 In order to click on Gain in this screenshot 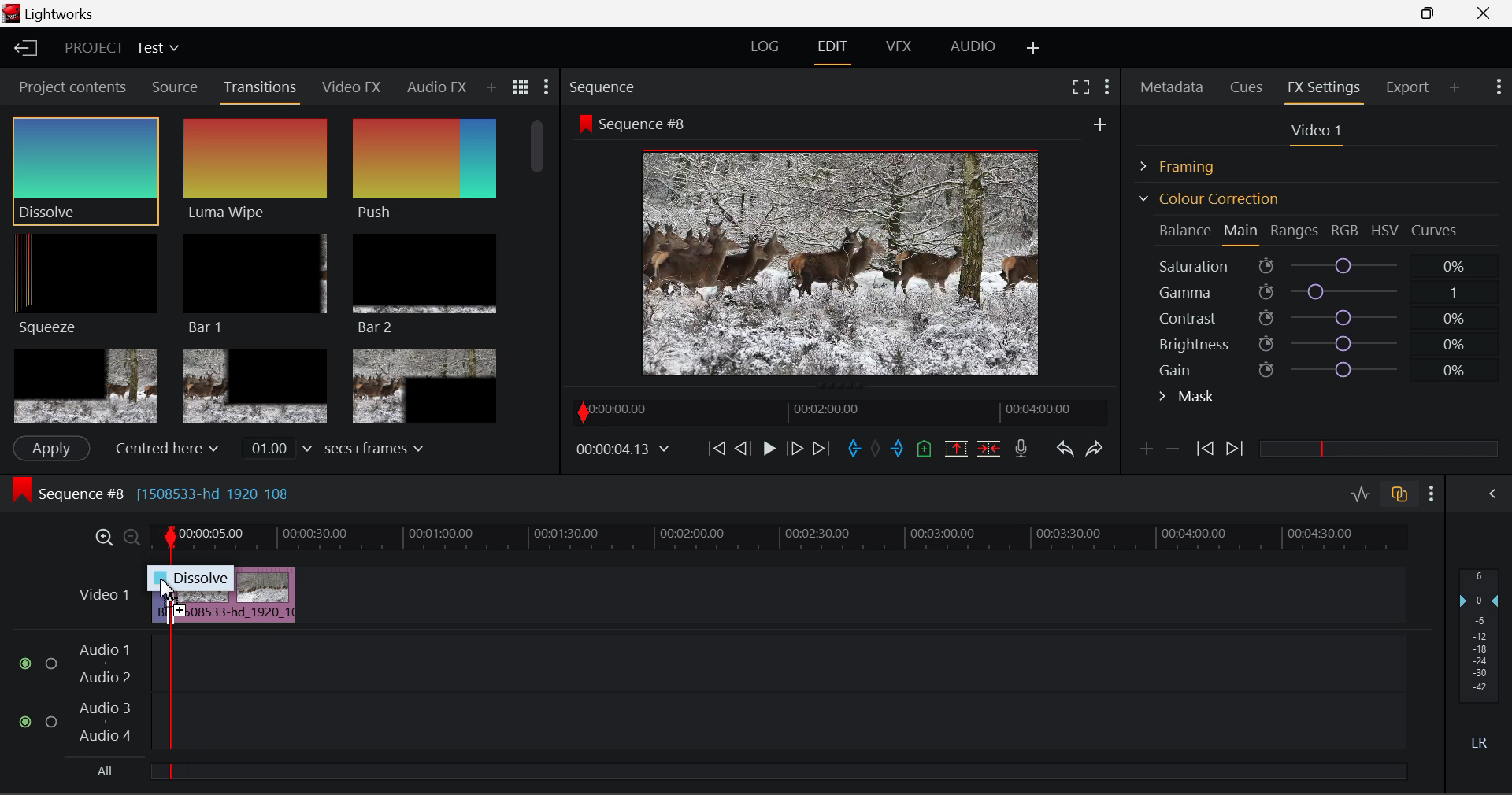, I will do `click(1332, 367)`.